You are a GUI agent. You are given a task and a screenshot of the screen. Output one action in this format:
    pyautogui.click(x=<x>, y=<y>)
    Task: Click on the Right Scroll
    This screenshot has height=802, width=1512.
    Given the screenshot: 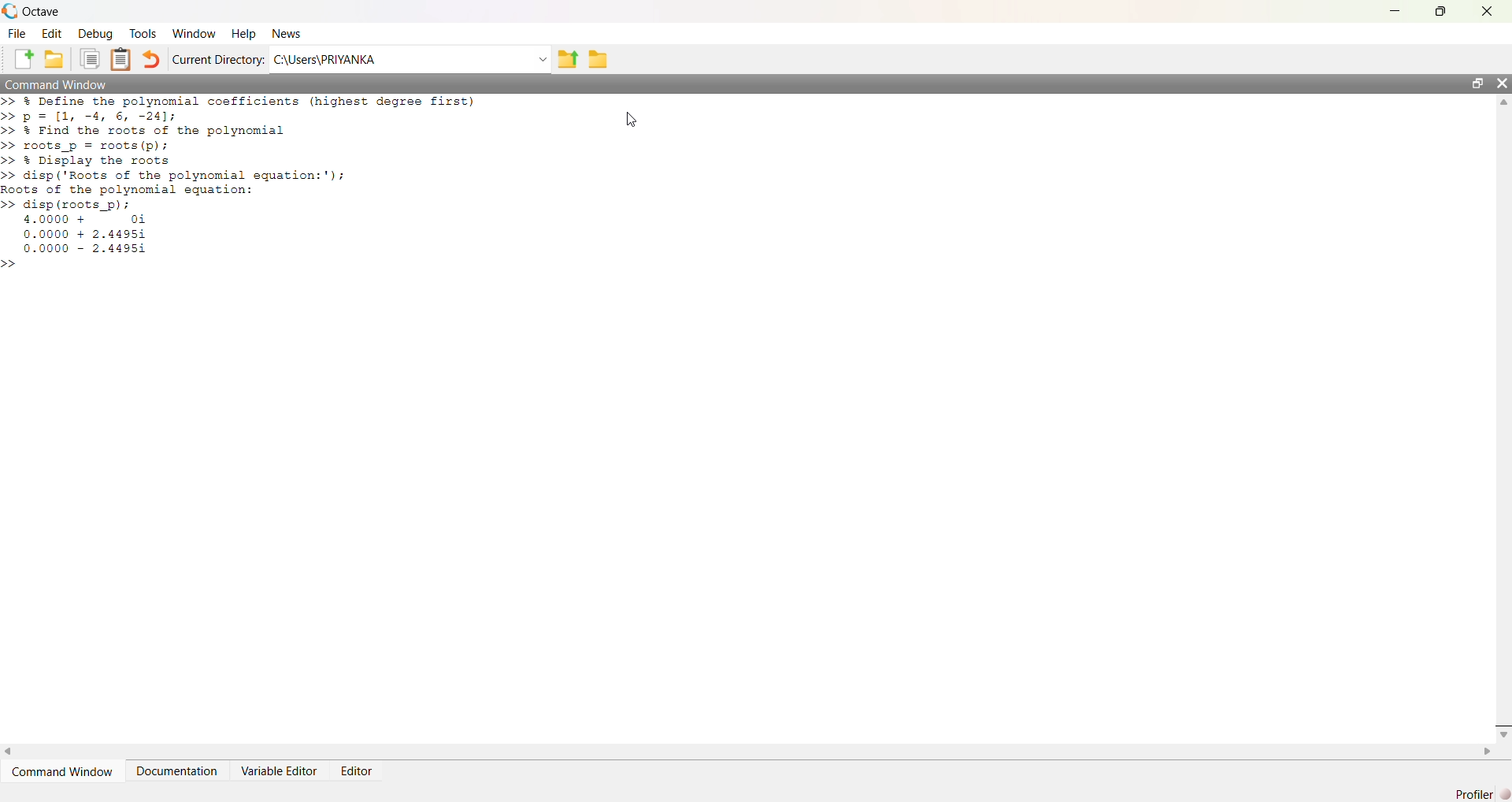 What is the action you would take?
    pyautogui.click(x=1485, y=751)
    